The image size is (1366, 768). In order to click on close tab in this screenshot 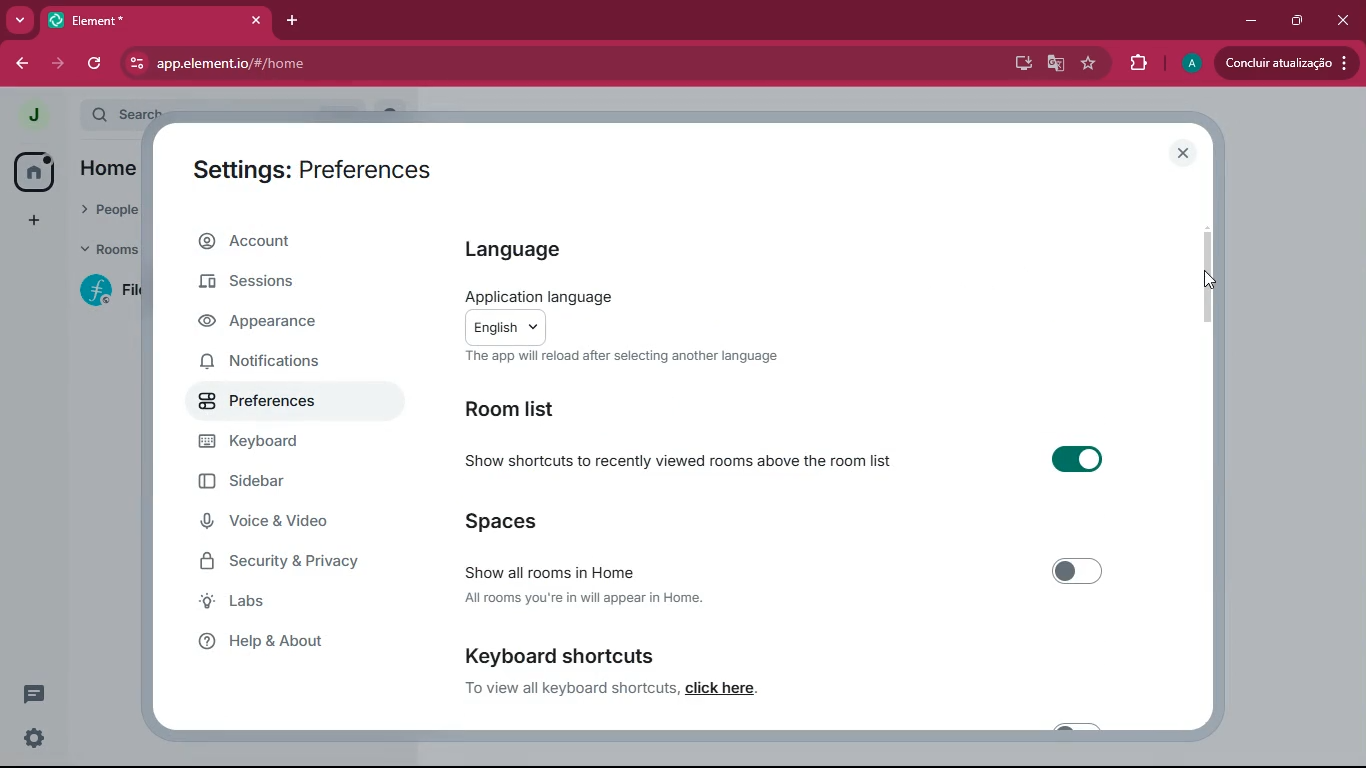, I will do `click(256, 21)`.